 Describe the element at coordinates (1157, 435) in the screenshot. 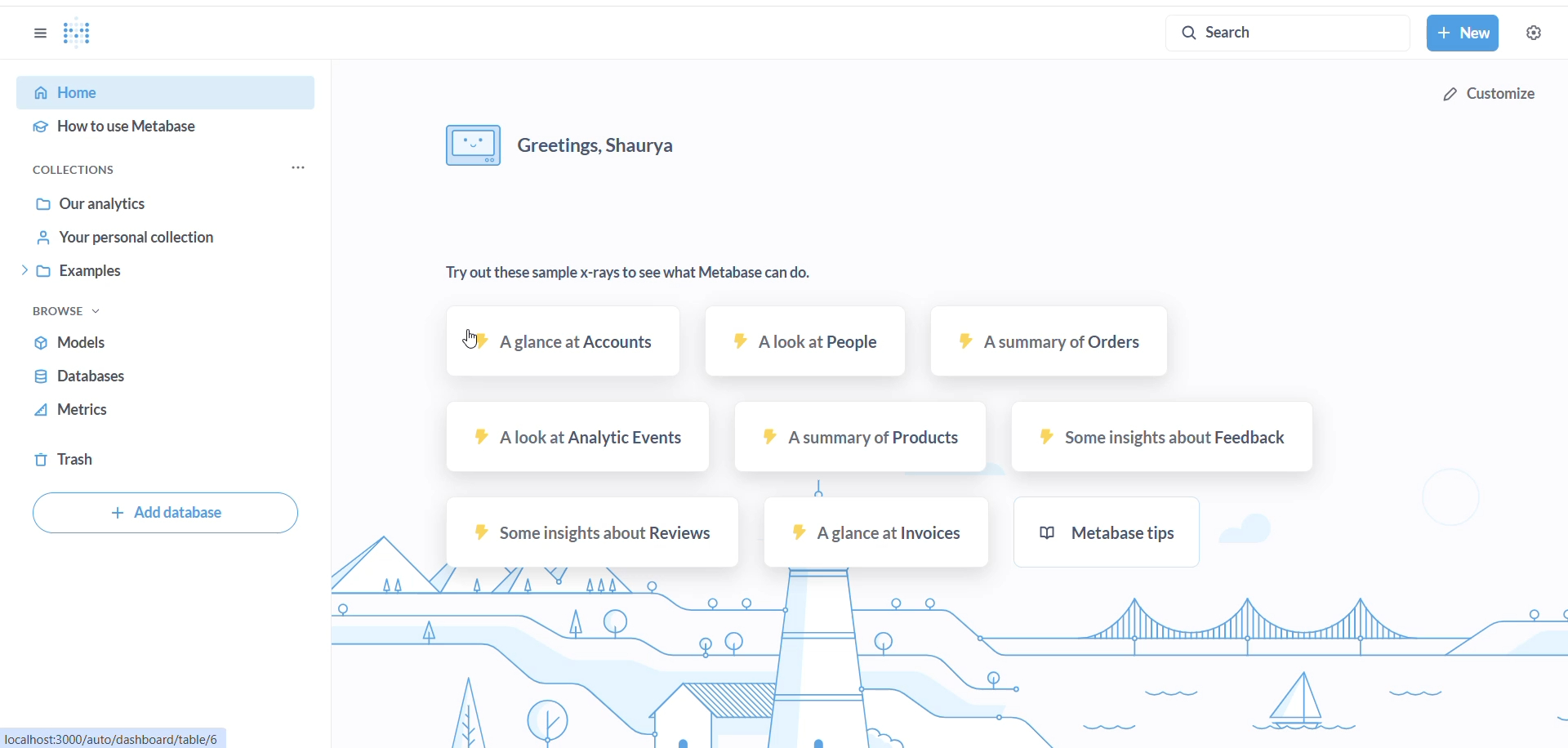

I see `some insights about feedback sample` at that location.